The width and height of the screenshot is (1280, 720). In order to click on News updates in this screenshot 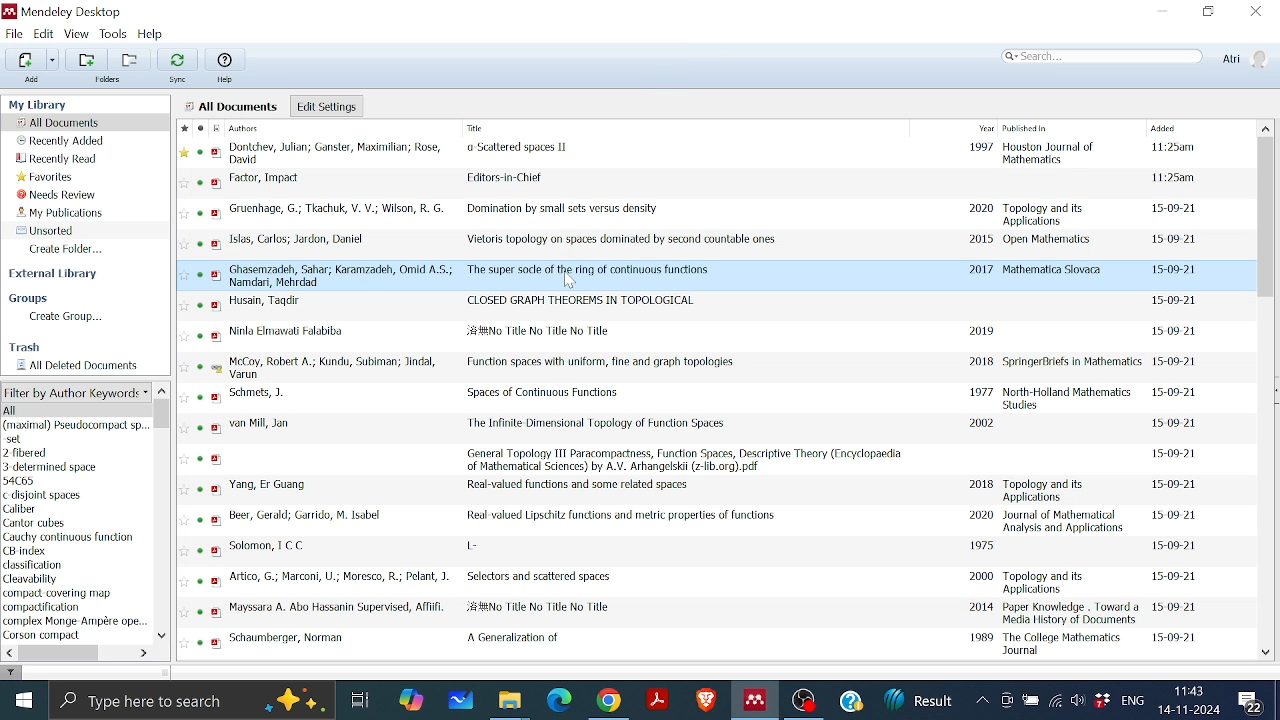, I will do `click(922, 699)`.